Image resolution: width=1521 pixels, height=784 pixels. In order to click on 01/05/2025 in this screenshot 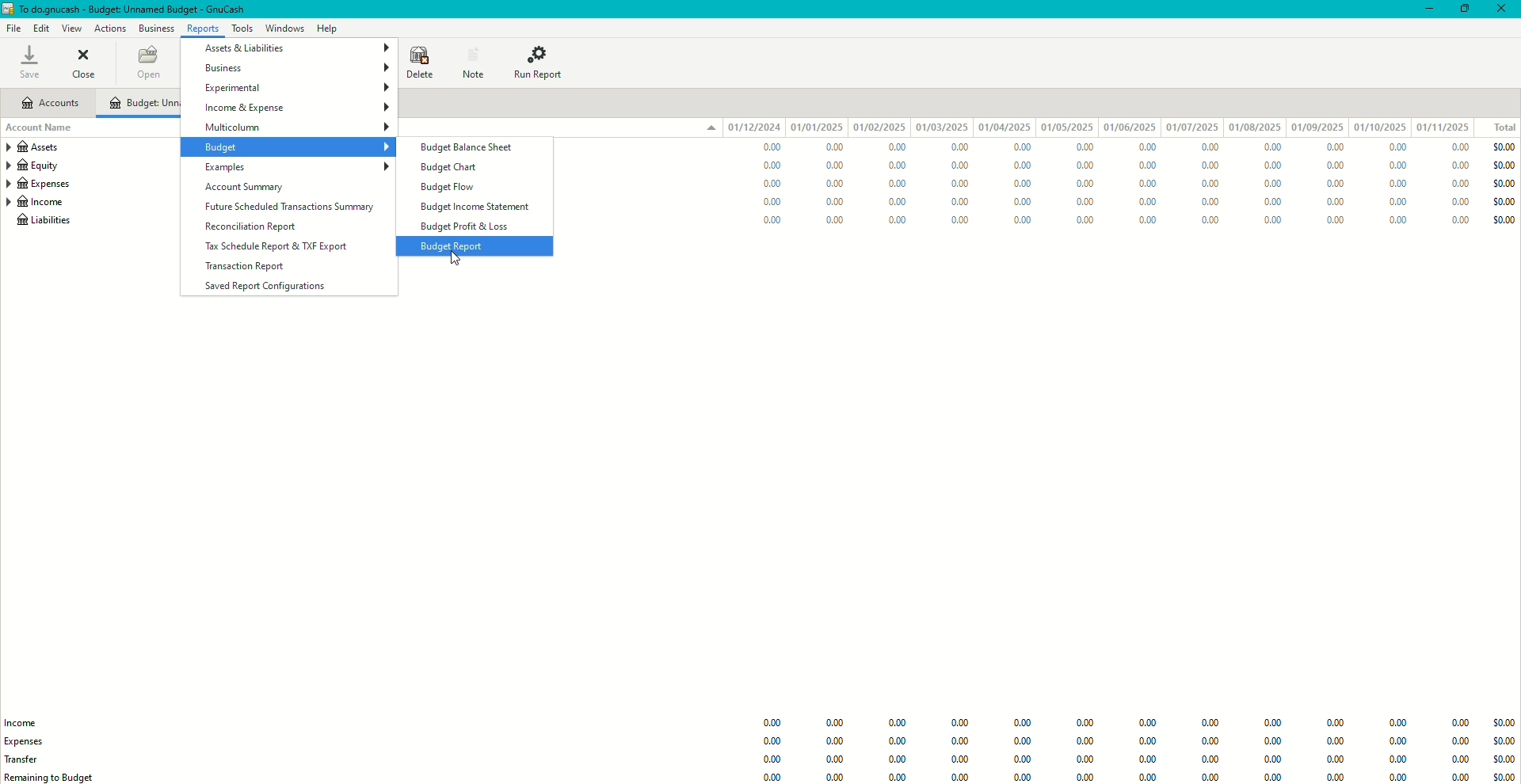, I will do `click(1065, 127)`.